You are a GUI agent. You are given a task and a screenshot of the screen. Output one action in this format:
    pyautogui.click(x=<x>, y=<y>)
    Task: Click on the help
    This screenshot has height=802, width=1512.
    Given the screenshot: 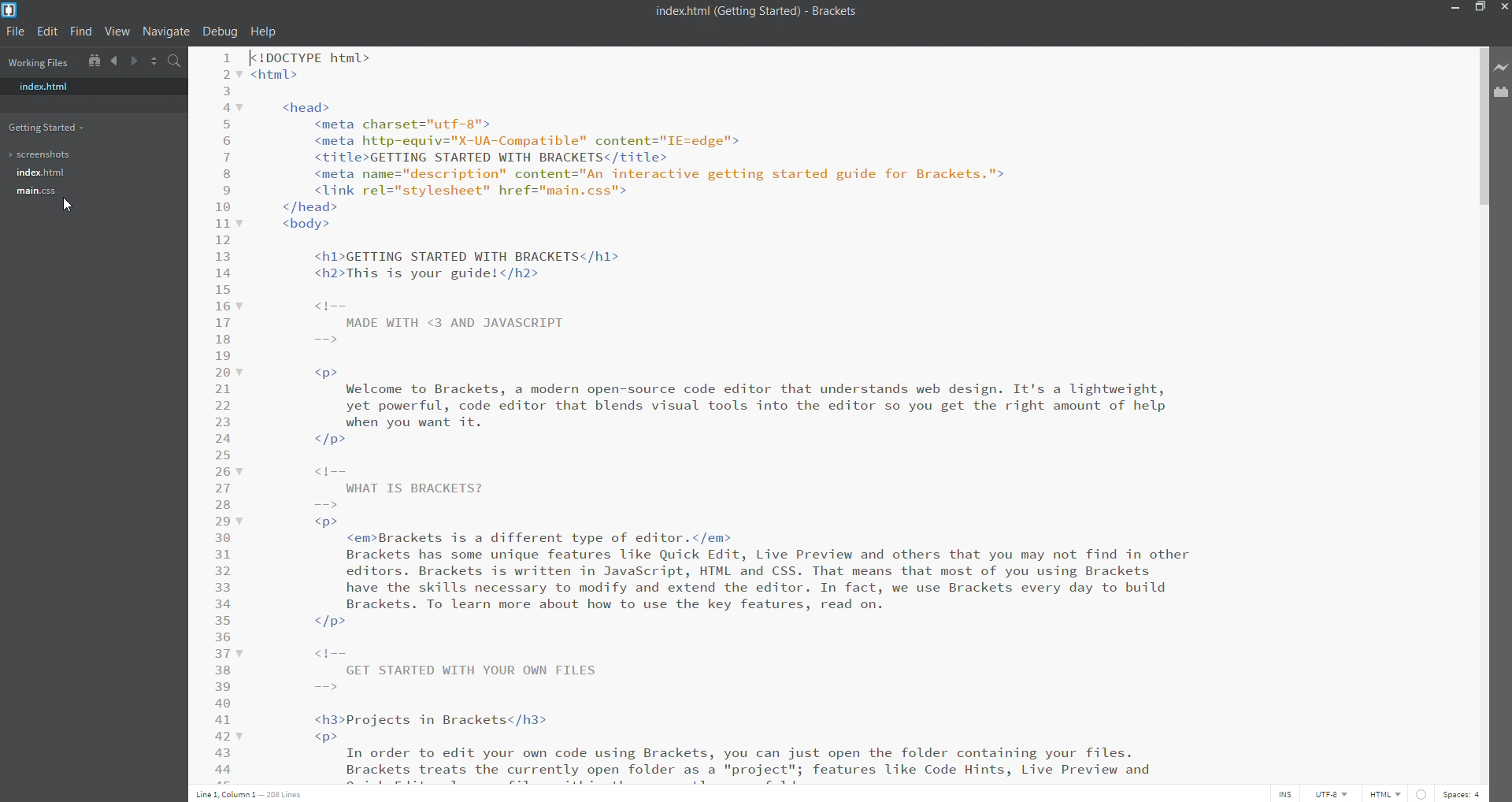 What is the action you would take?
    pyautogui.click(x=265, y=31)
    